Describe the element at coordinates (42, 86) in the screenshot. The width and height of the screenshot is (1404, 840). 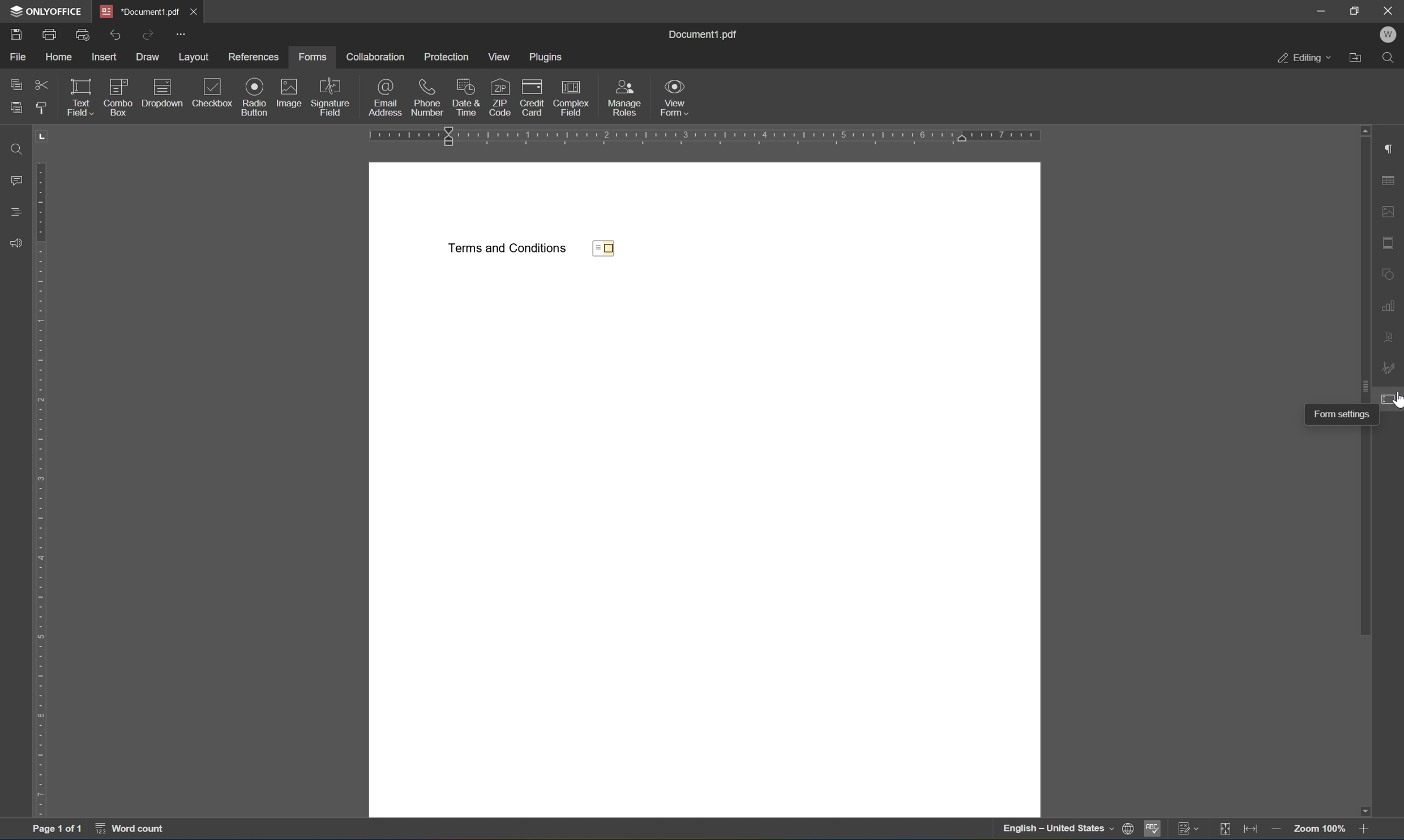
I see `cut` at that location.